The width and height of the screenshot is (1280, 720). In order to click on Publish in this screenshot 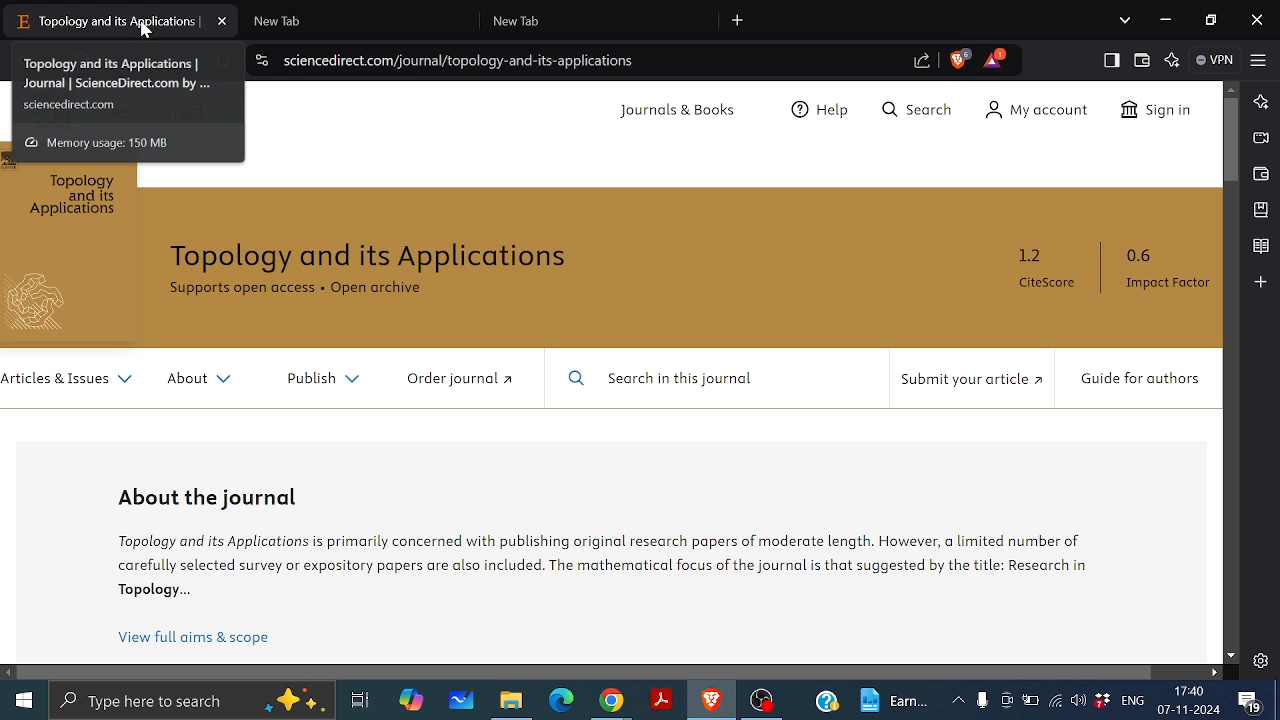, I will do `click(317, 375)`.